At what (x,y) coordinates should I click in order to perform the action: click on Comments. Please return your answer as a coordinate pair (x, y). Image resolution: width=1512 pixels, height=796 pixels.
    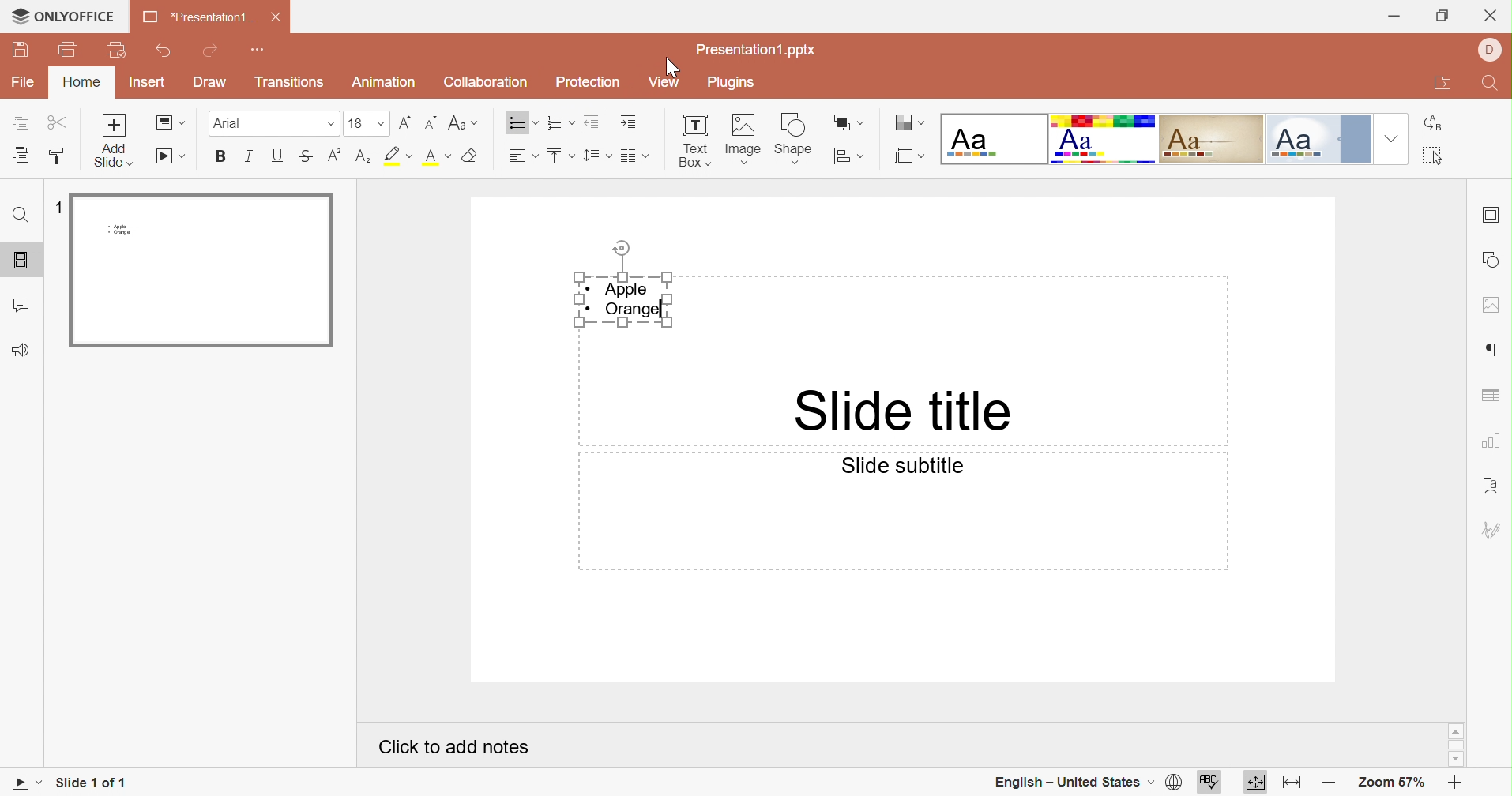
    Looking at the image, I should click on (22, 306).